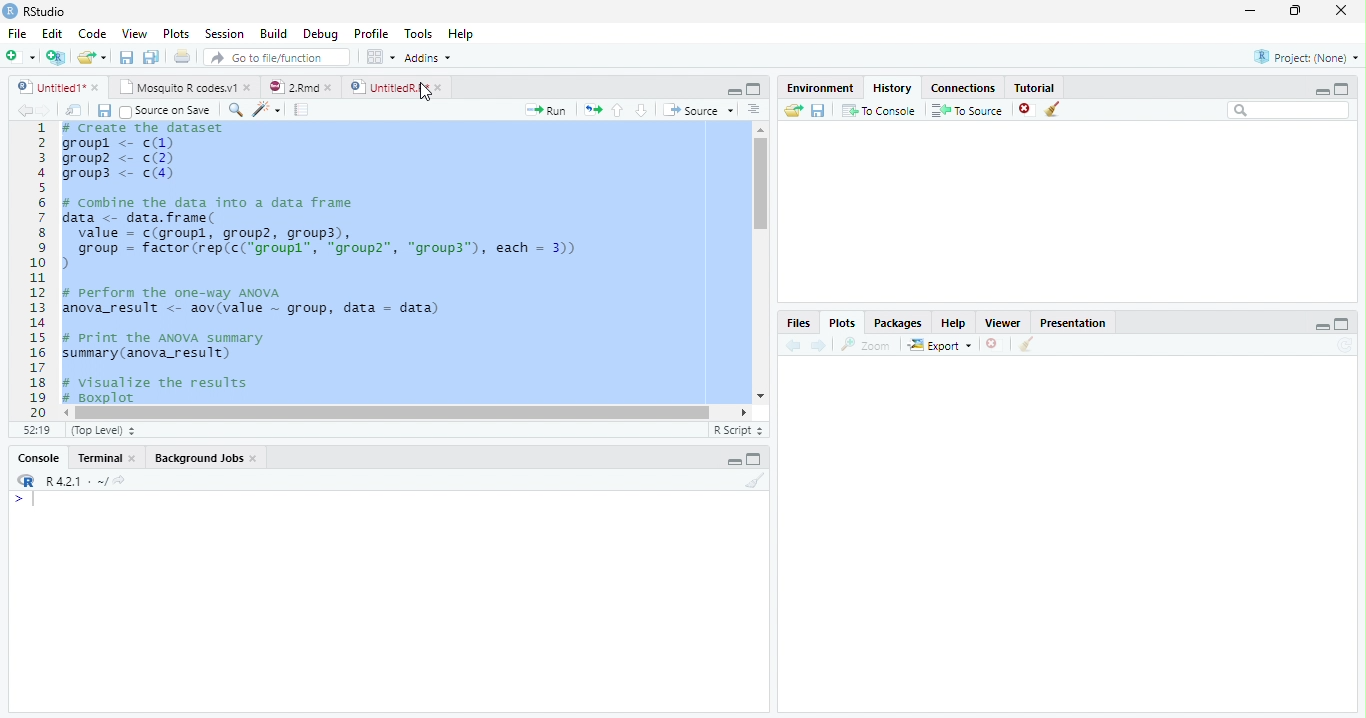 This screenshot has height=718, width=1366. Describe the element at coordinates (753, 111) in the screenshot. I see `Alignment` at that location.